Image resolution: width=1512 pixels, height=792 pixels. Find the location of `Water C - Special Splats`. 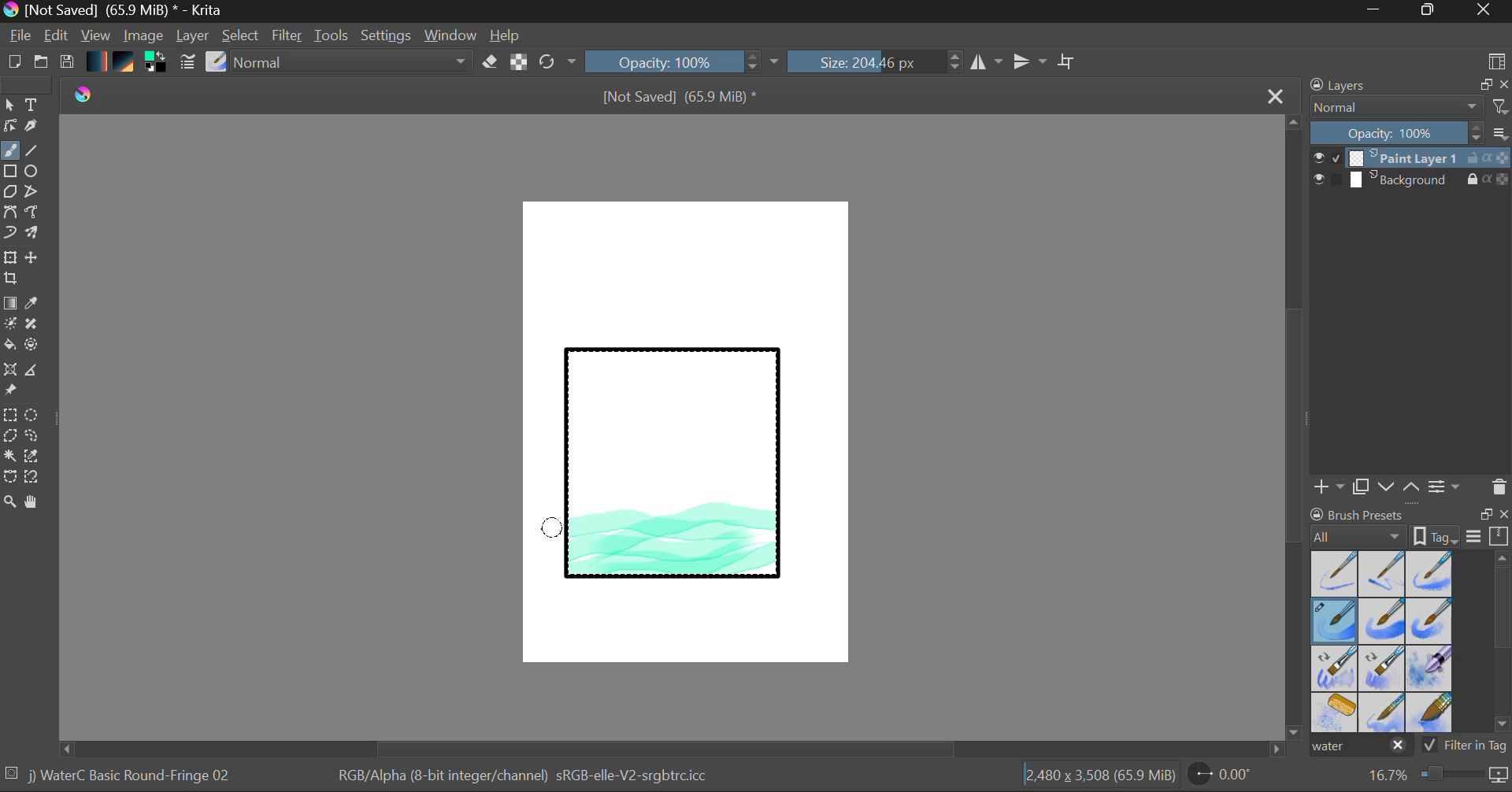

Water C - Special Splats is located at coordinates (1336, 712).